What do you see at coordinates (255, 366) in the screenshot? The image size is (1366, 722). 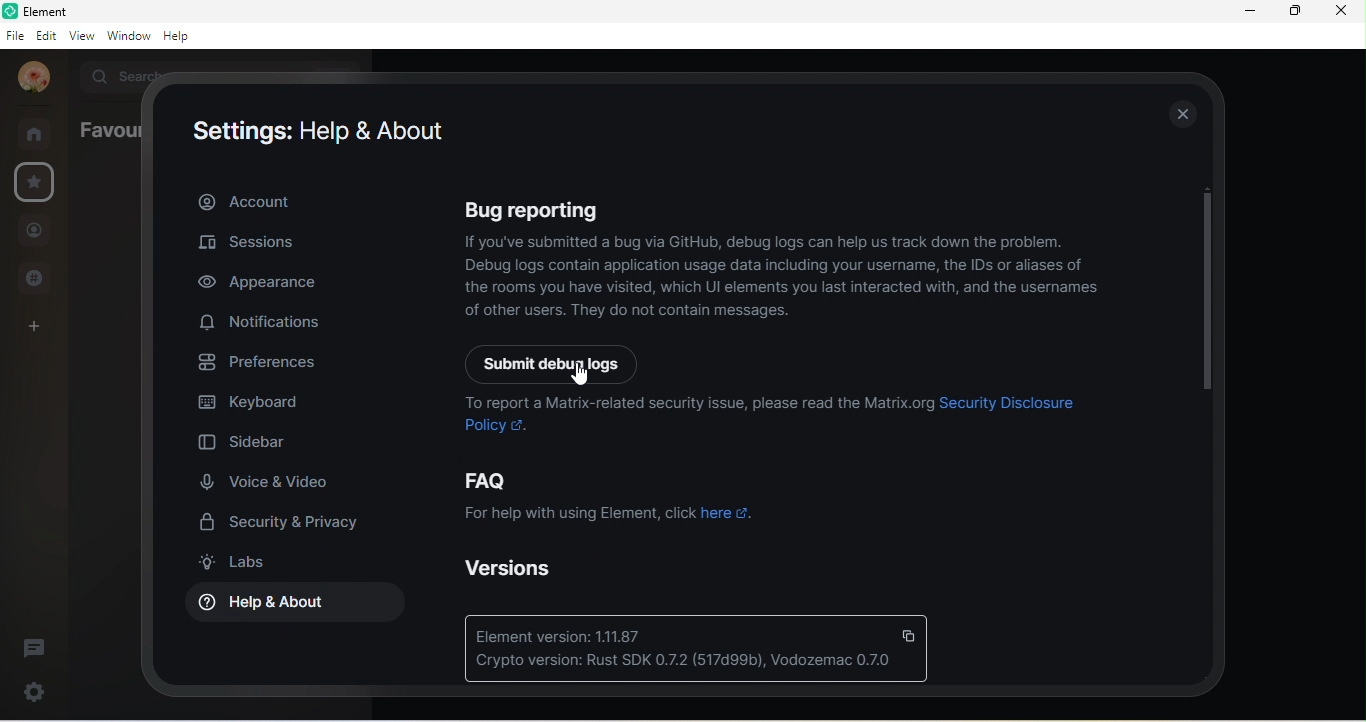 I see `preferences` at bounding box center [255, 366].